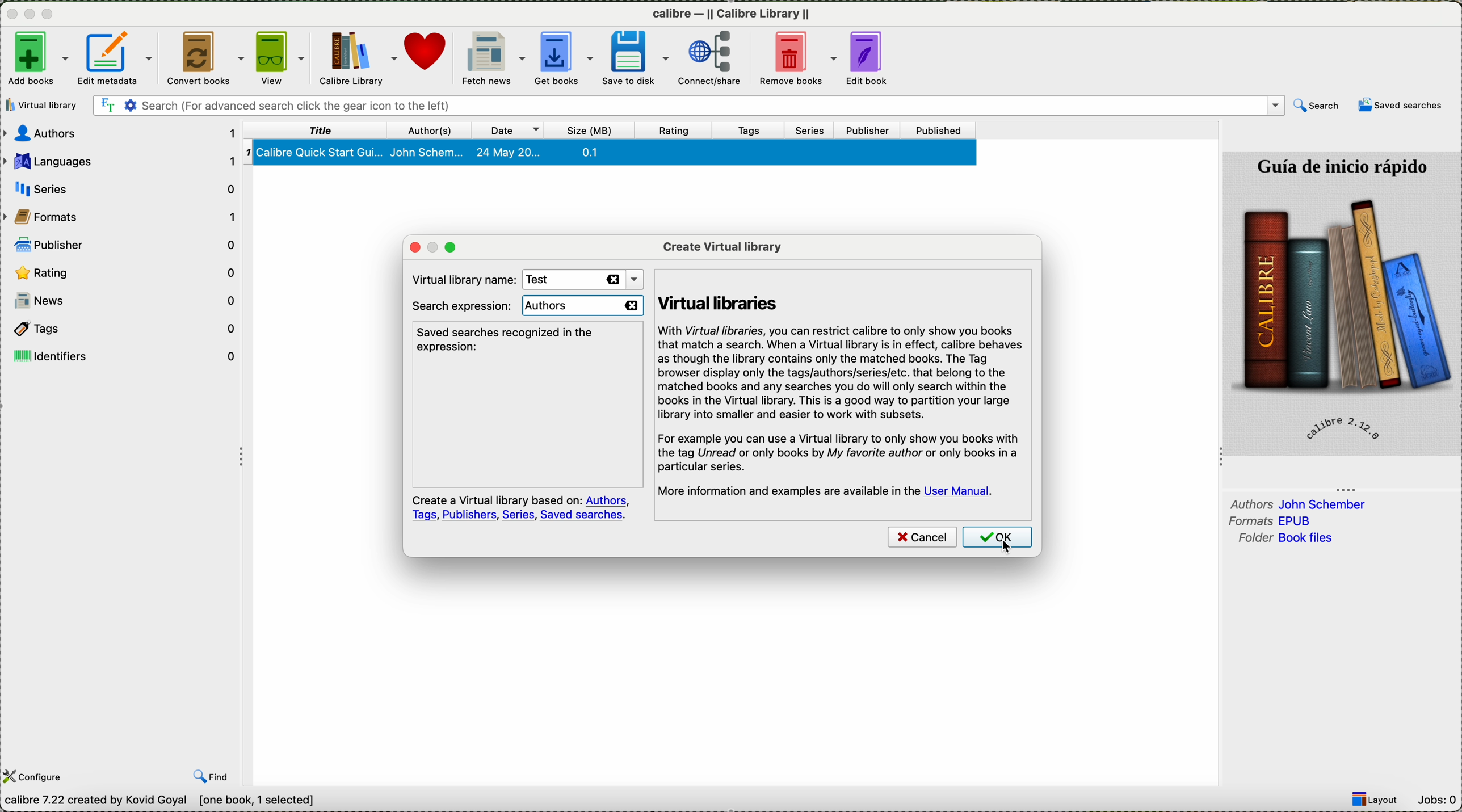 The height and width of the screenshot is (812, 1462). What do you see at coordinates (123, 216) in the screenshot?
I see `formats` at bounding box center [123, 216].